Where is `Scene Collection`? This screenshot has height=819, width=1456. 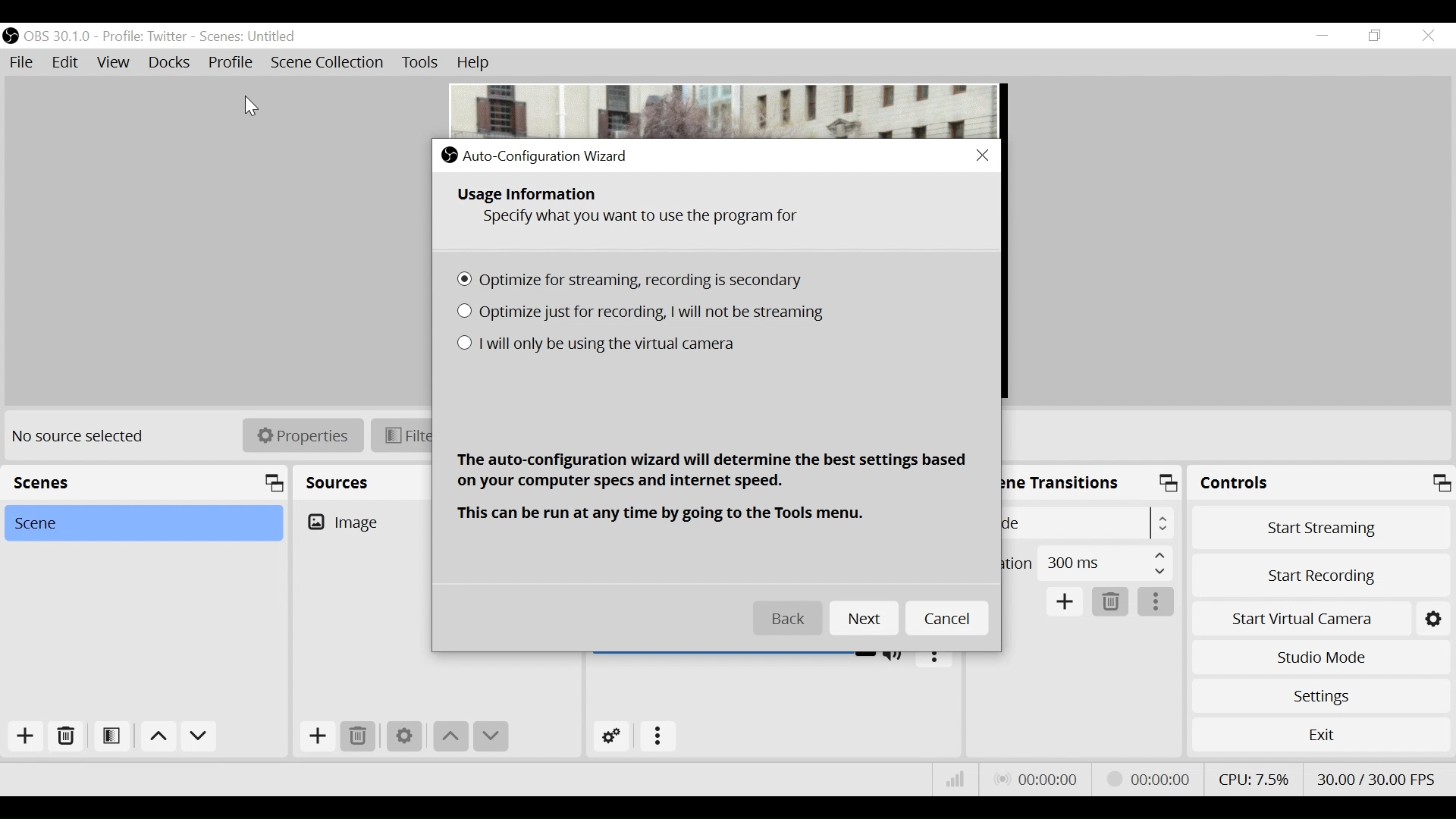 Scene Collection is located at coordinates (330, 64).